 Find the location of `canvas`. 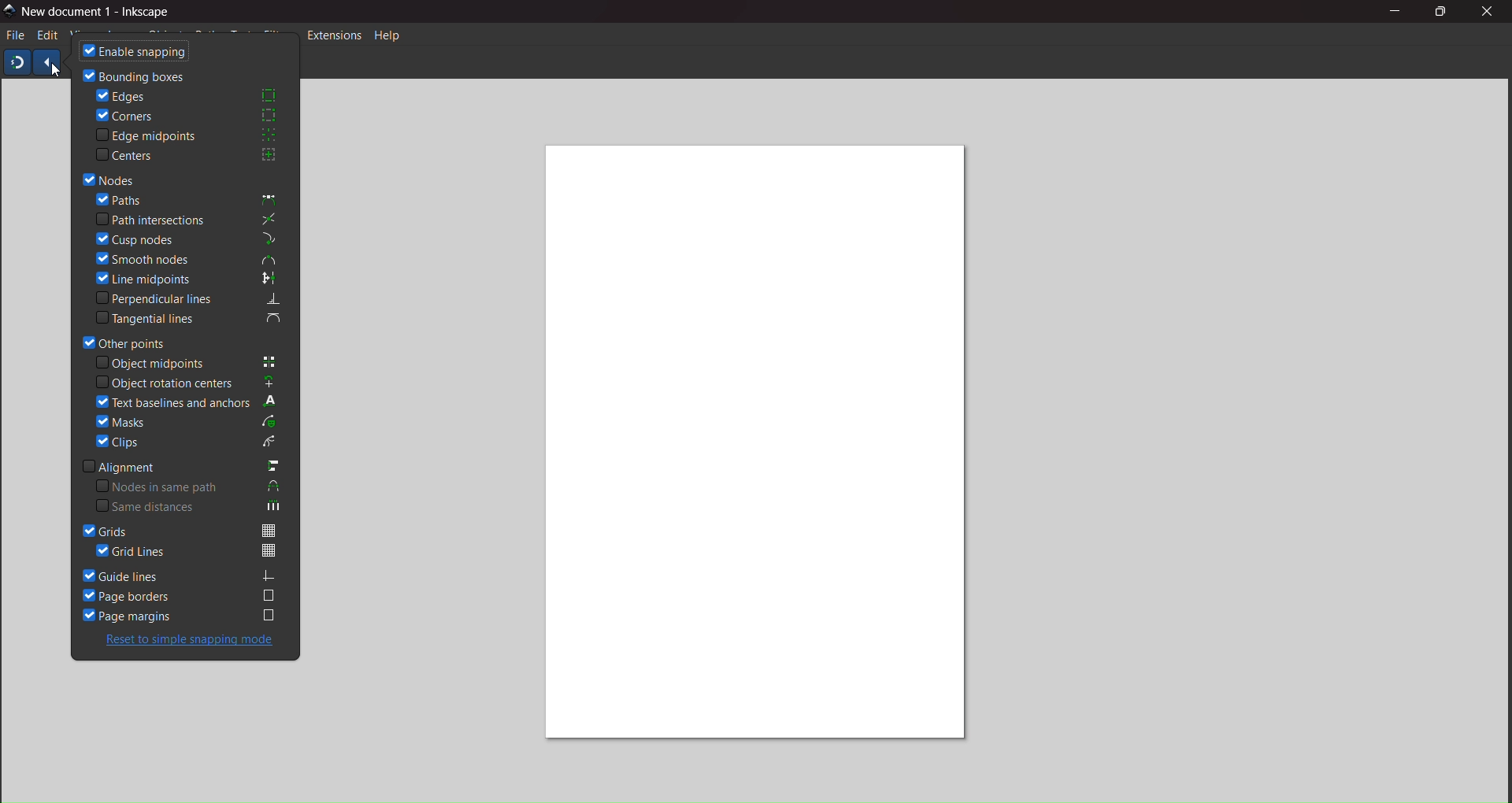

canvas is located at coordinates (758, 447).